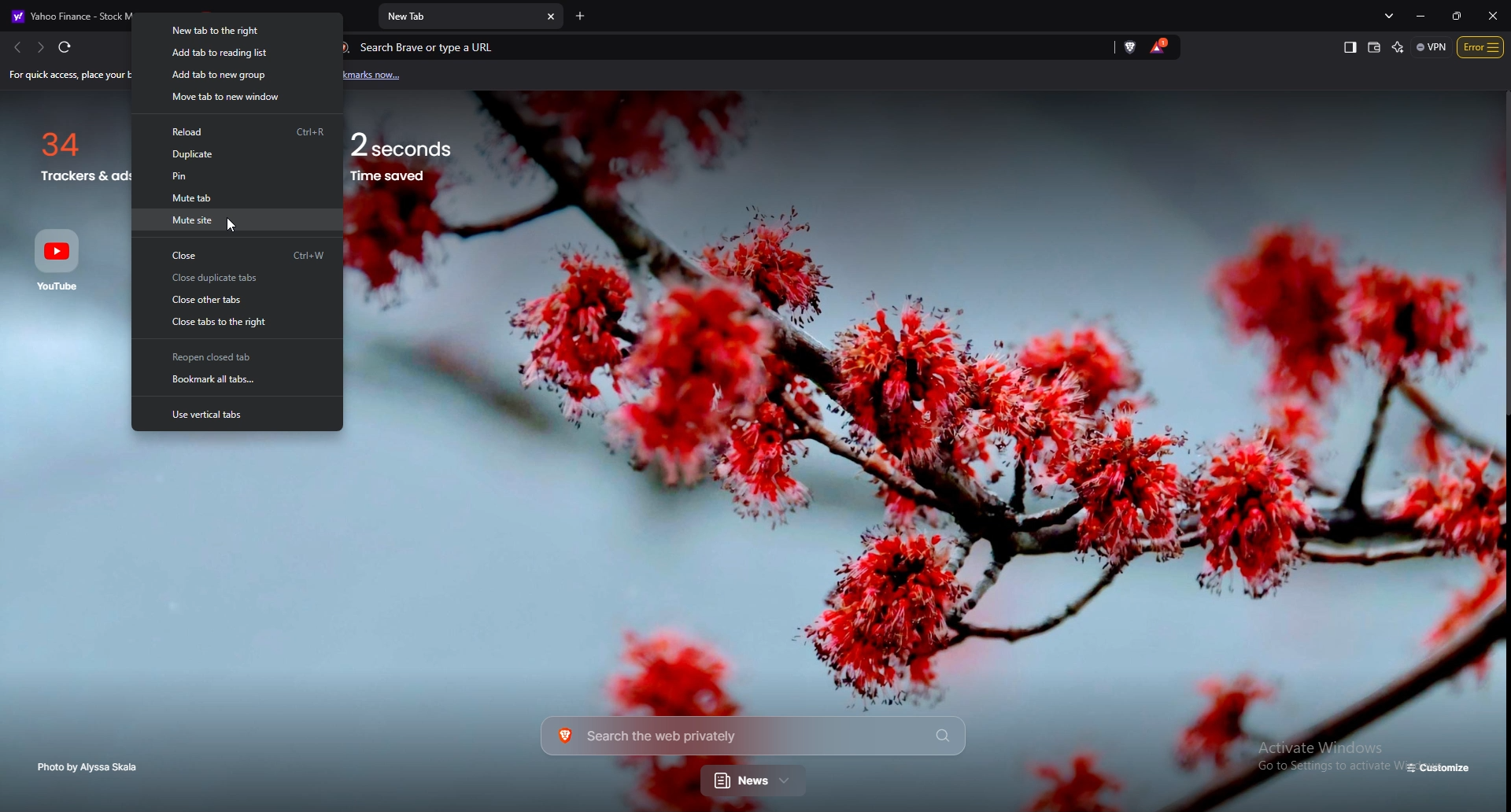 The image size is (1511, 812). Describe the element at coordinates (1432, 46) in the screenshot. I see `vpn` at that location.